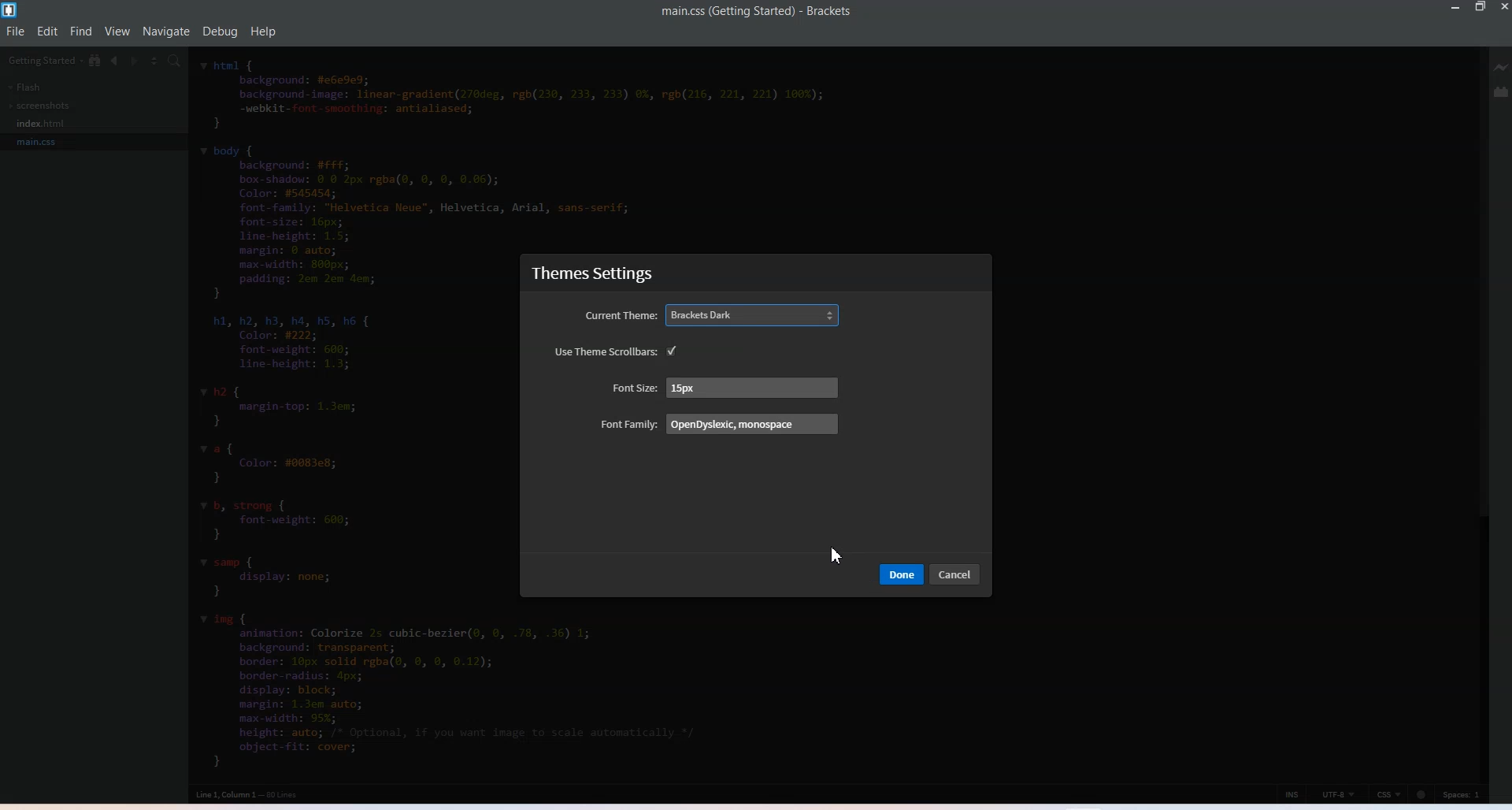 This screenshot has width=1512, height=810. What do you see at coordinates (1391, 794) in the screenshot?
I see `CSS` at bounding box center [1391, 794].